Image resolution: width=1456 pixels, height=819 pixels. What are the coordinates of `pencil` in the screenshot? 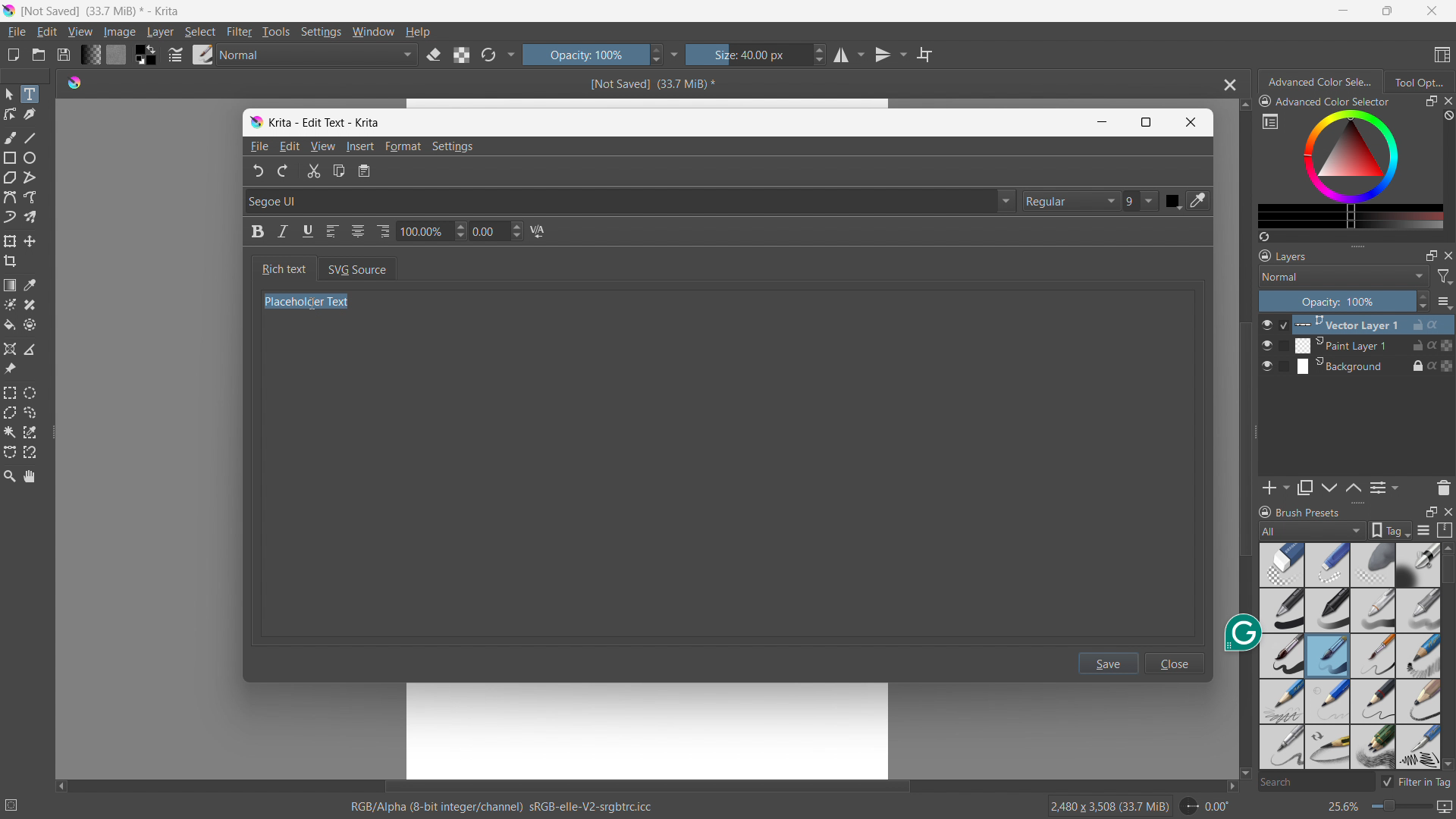 It's located at (1373, 610).